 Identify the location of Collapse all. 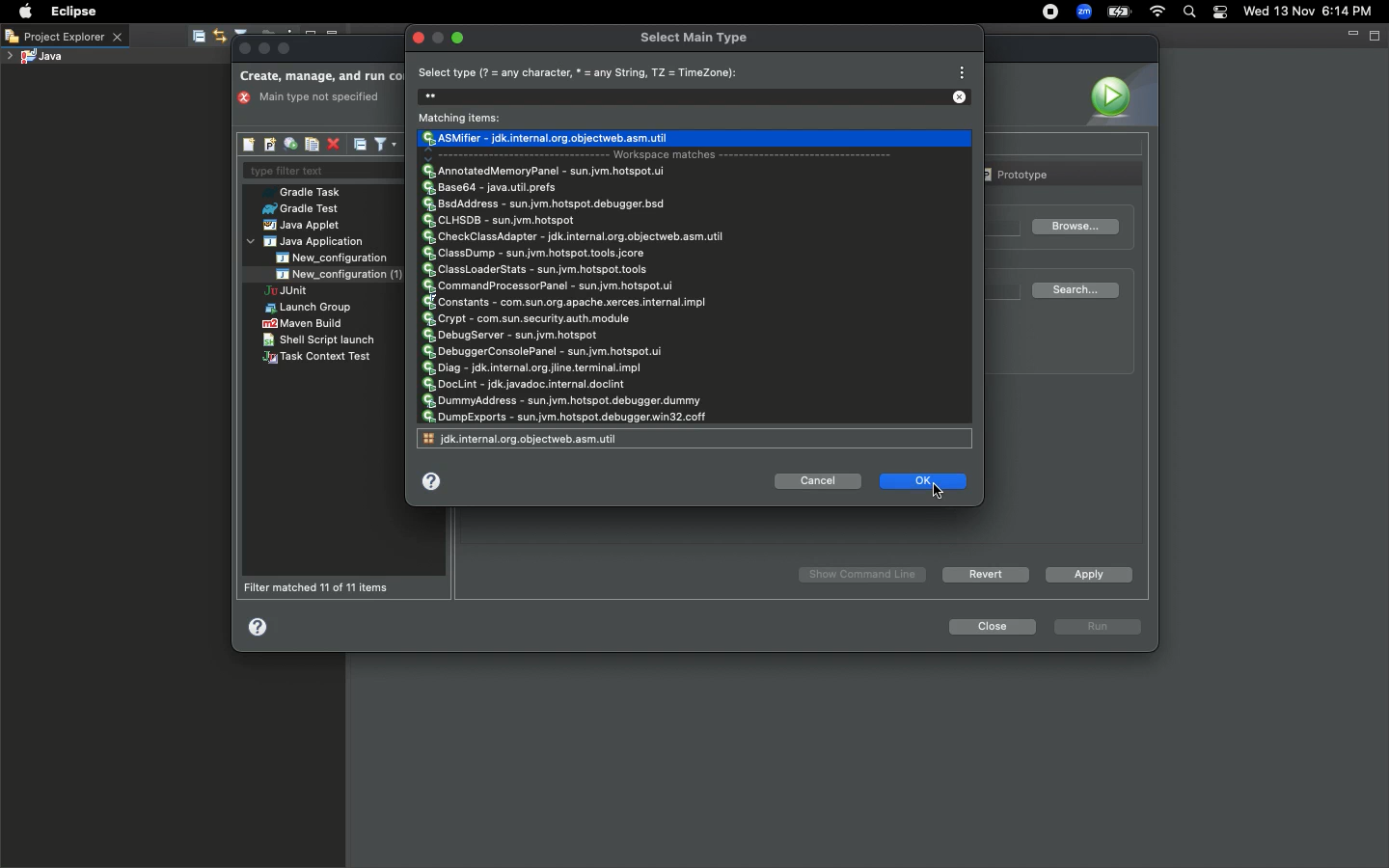
(361, 144).